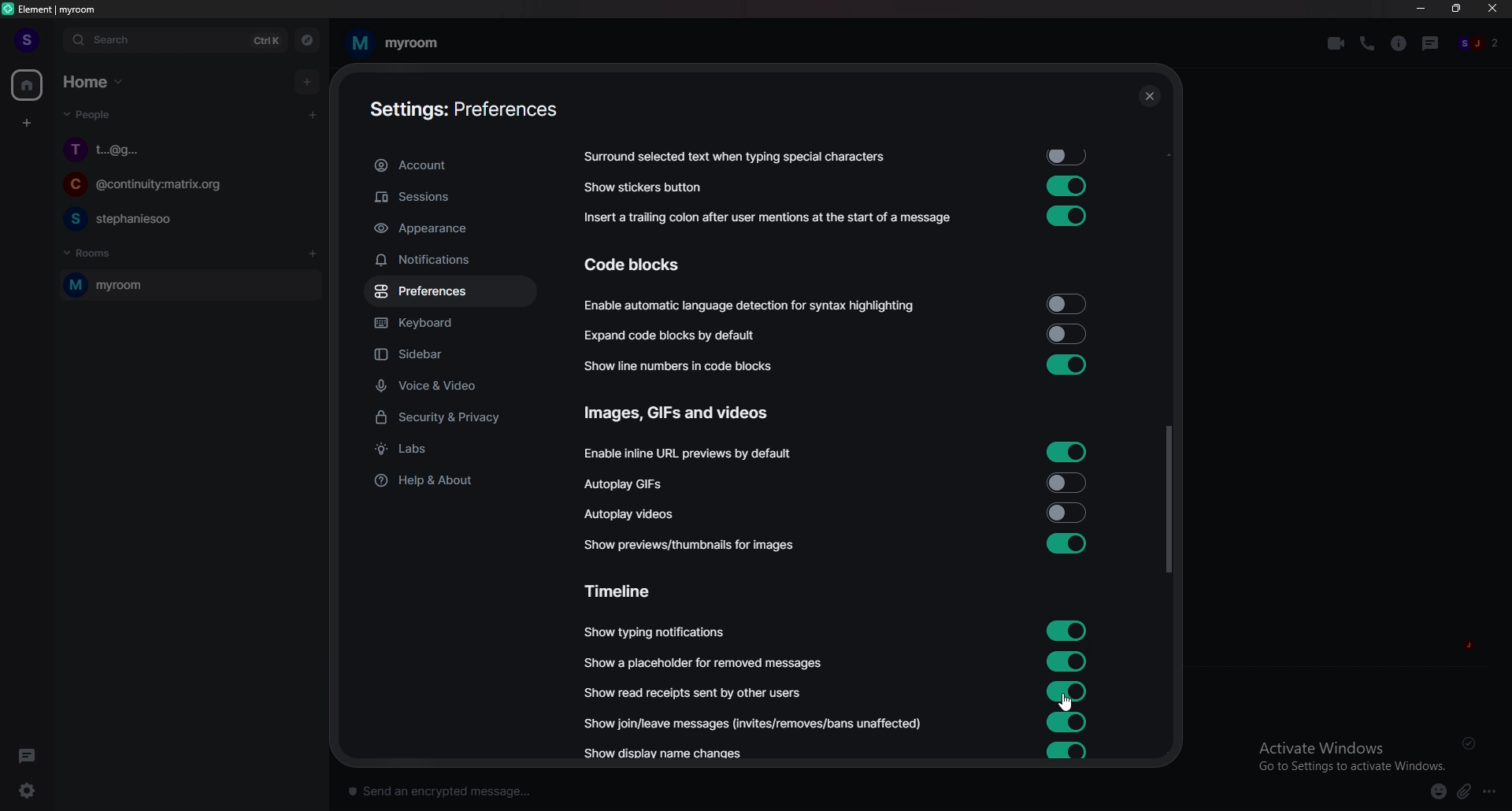  Describe the element at coordinates (313, 254) in the screenshot. I see `add rooms` at that location.